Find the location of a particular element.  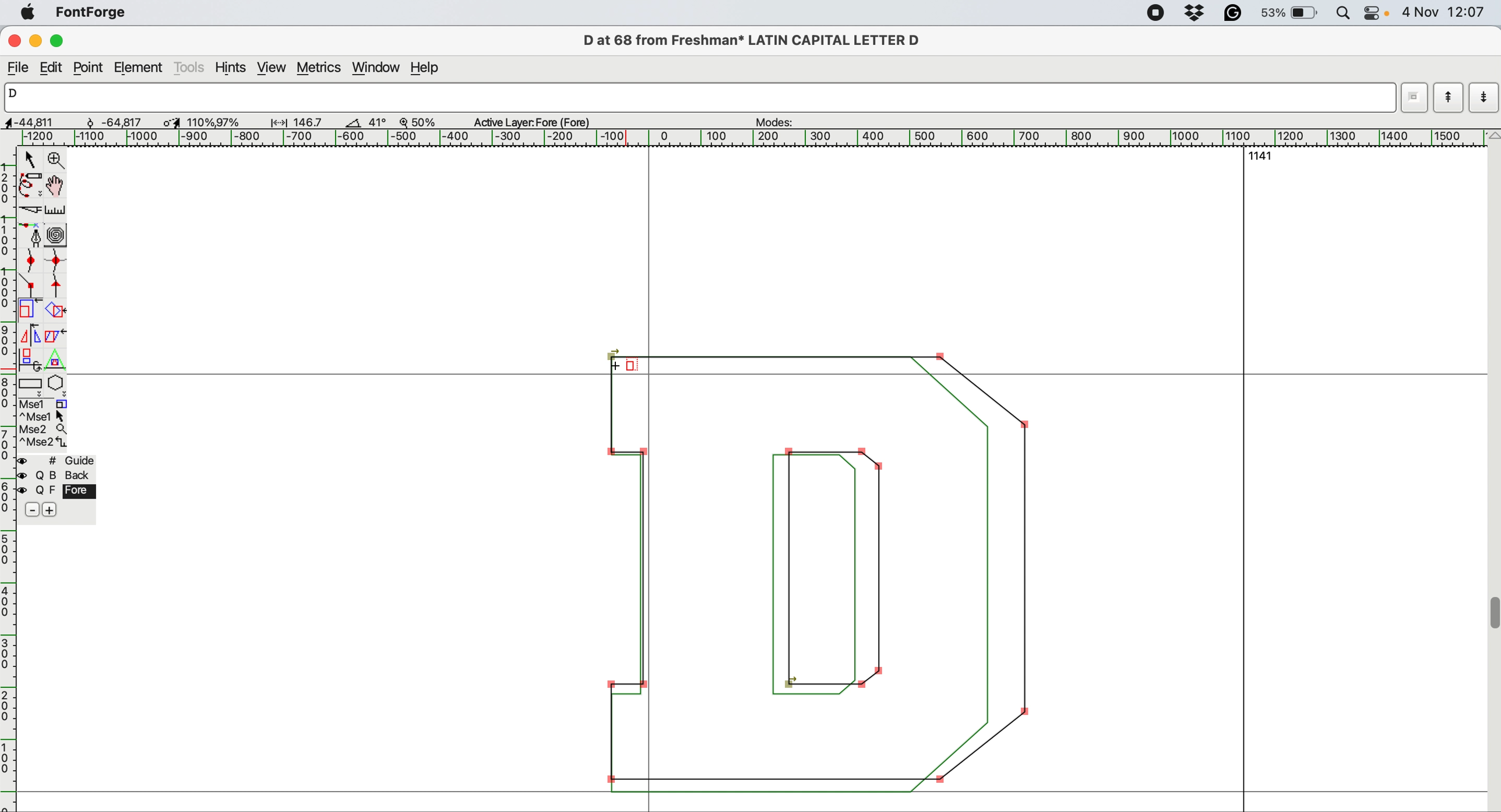

perform a perspective transformation on the selection is located at coordinates (54, 360).